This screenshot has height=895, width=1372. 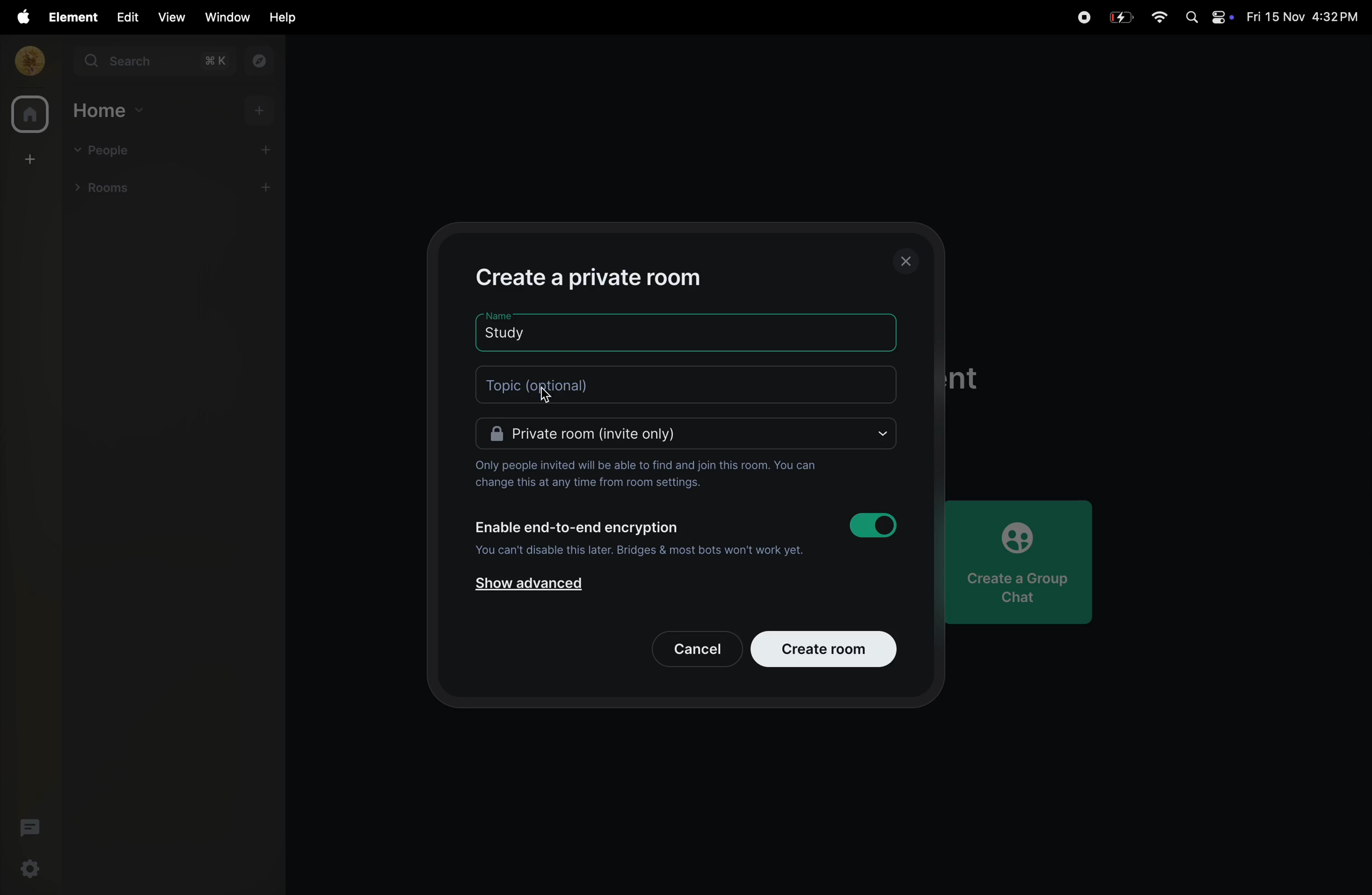 I want to click on only invited people can join them, so click(x=646, y=473).